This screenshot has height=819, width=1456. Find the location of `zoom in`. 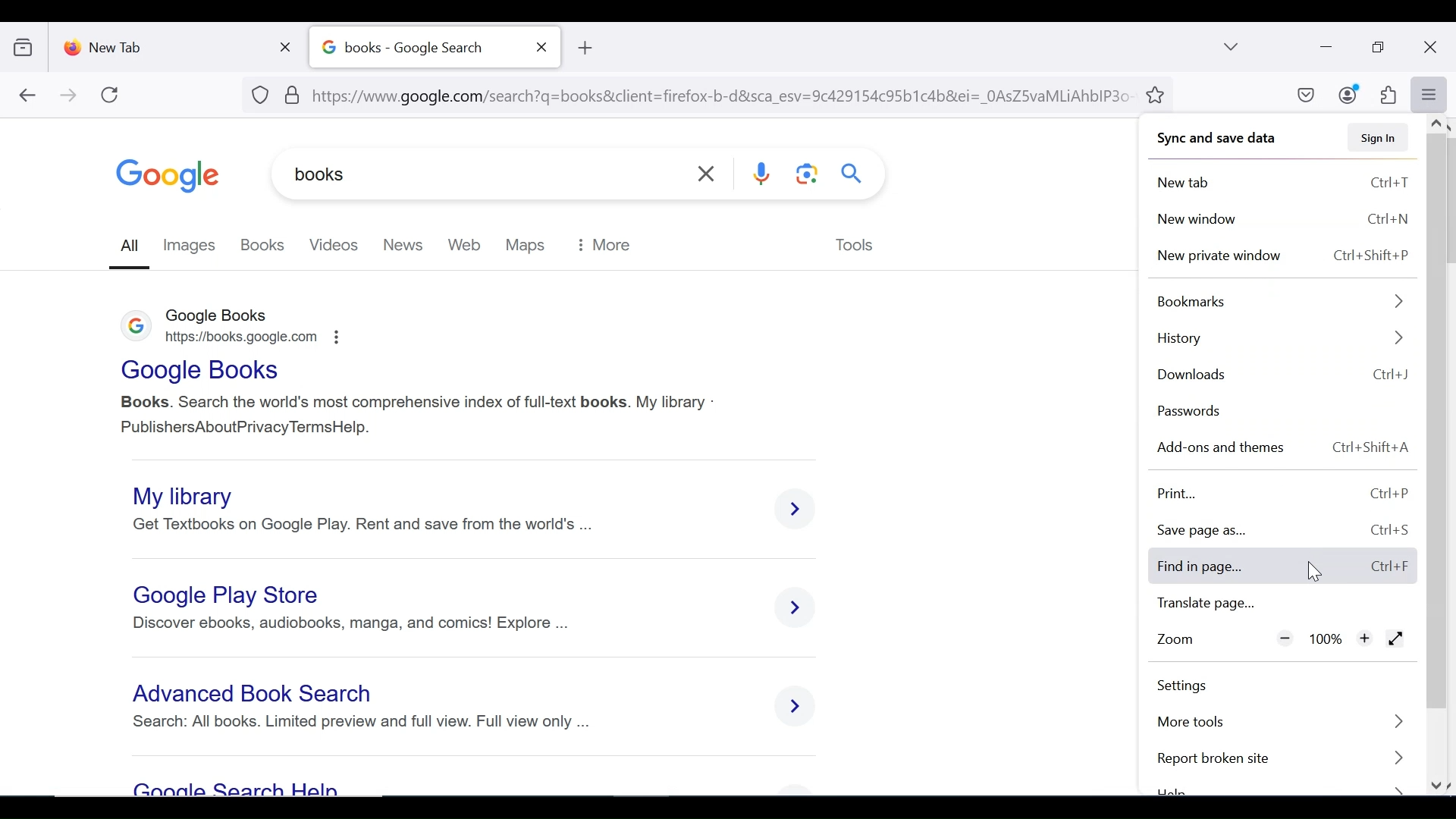

zoom in is located at coordinates (1364, 638).